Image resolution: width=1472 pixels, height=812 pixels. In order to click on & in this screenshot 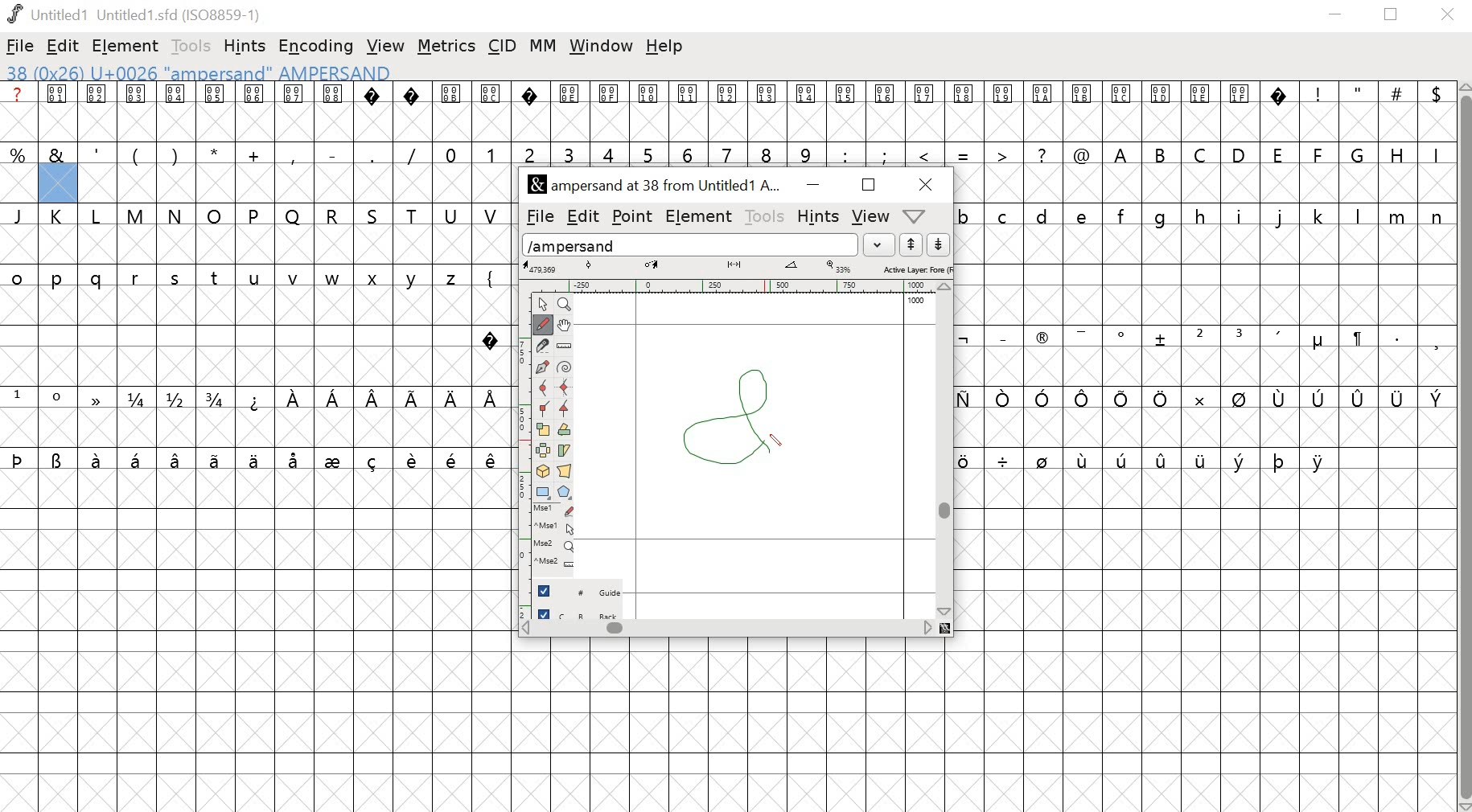, I will do `click(57, 154)`.